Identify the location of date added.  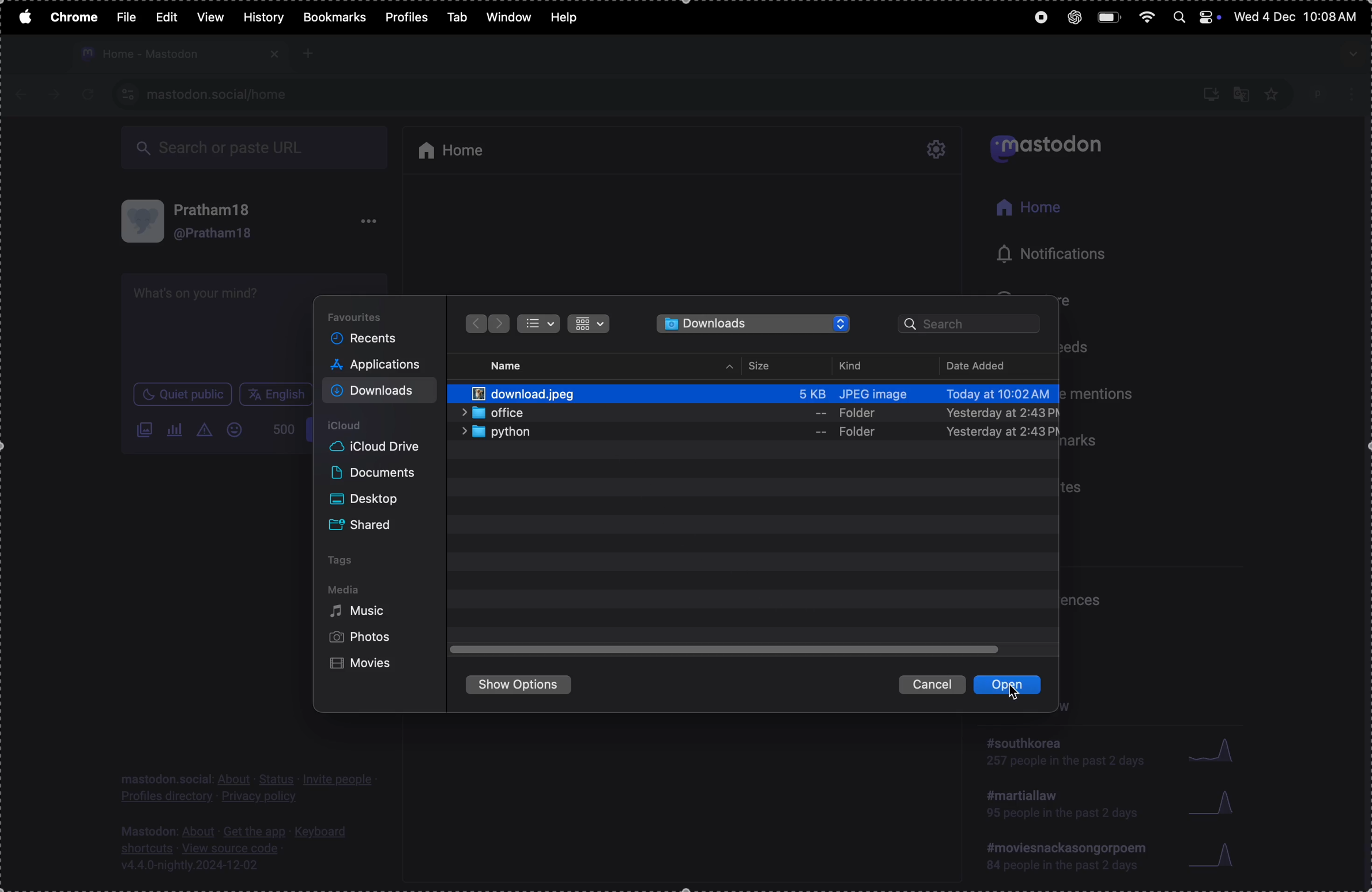
(991, 364).